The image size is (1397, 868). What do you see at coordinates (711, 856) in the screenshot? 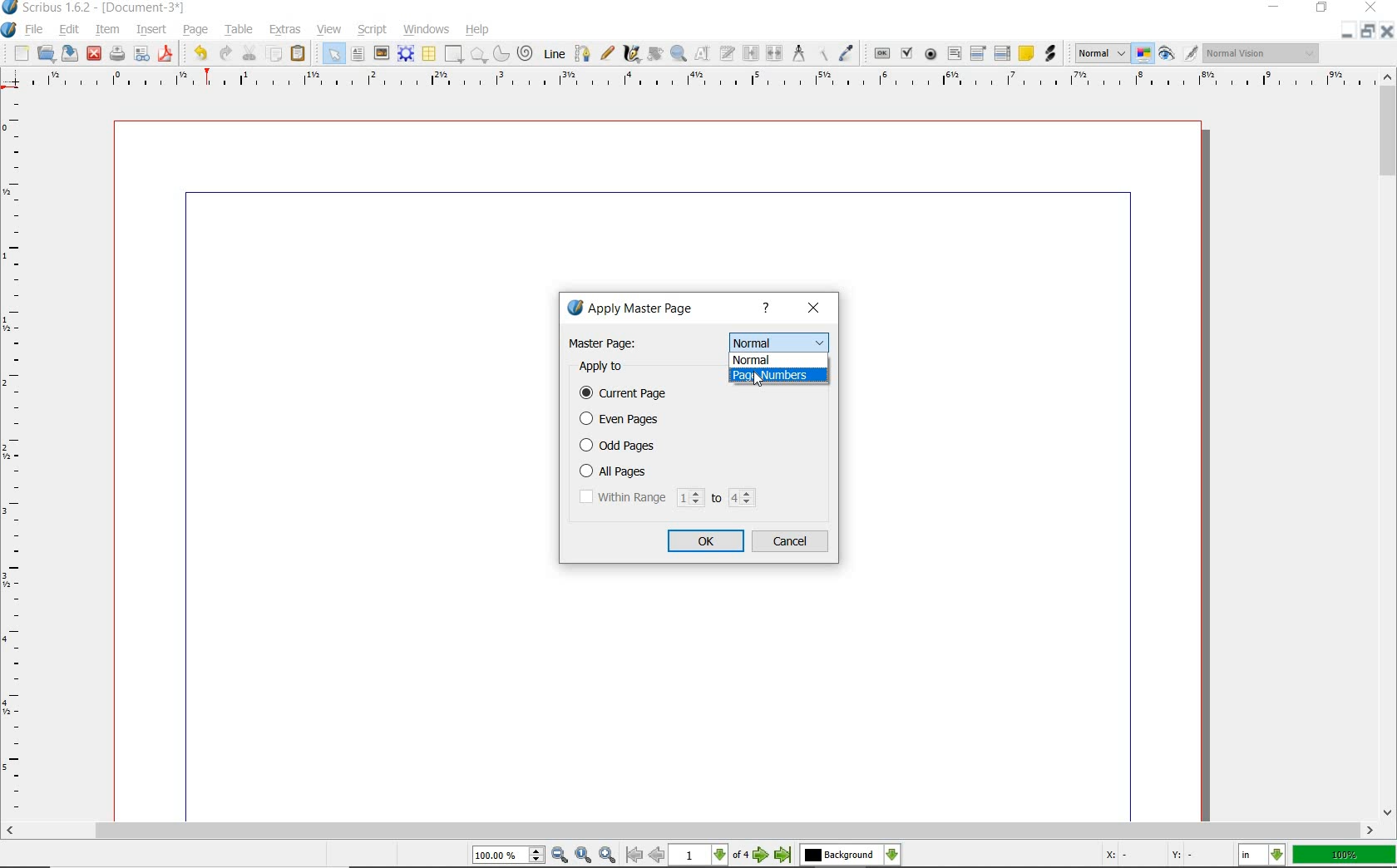
I see `1 of 4` at bounding box center [711, 856].